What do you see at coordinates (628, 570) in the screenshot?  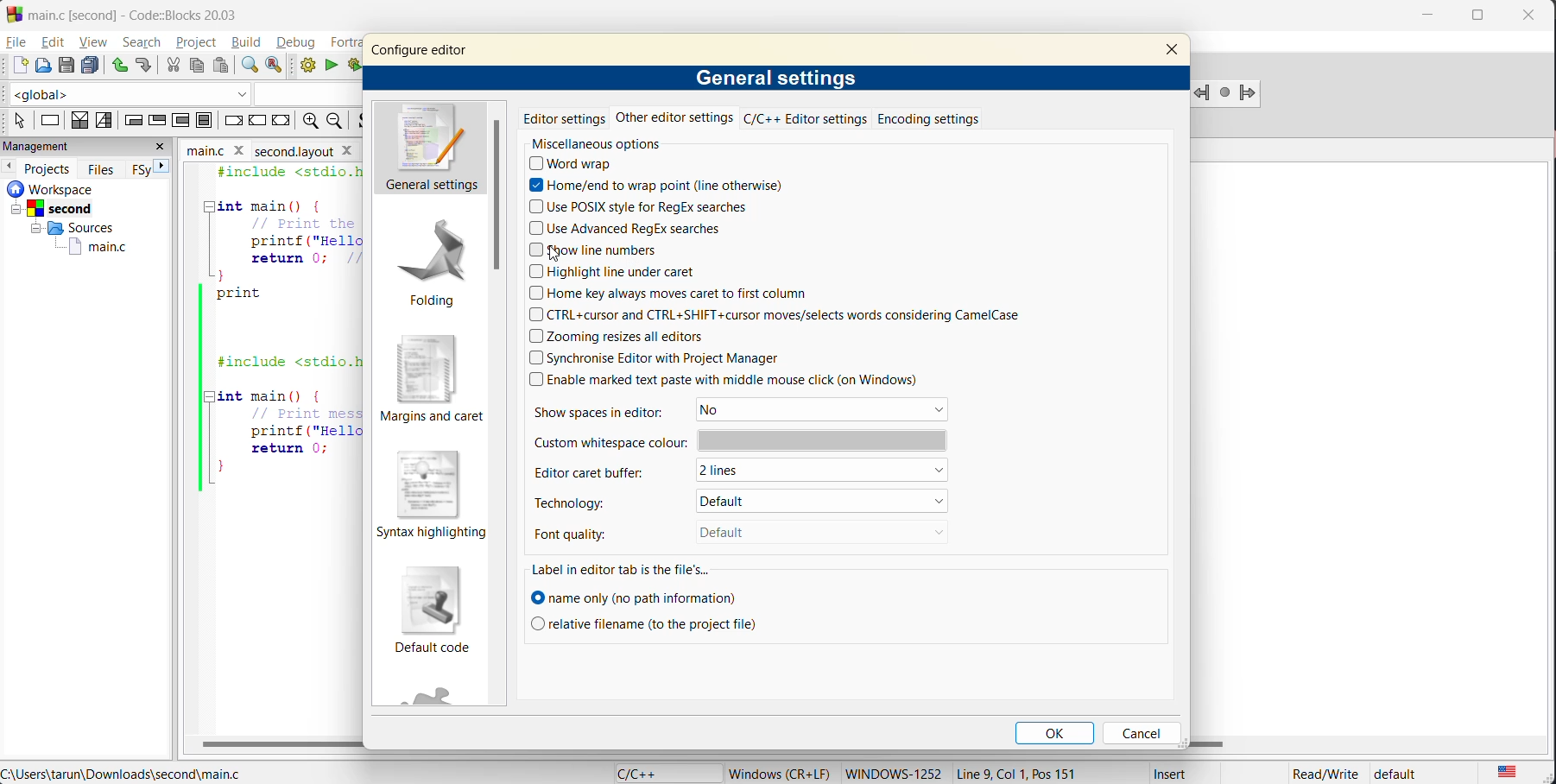 I see `label in editor tab is the file's` at bounding box center [628, 570].